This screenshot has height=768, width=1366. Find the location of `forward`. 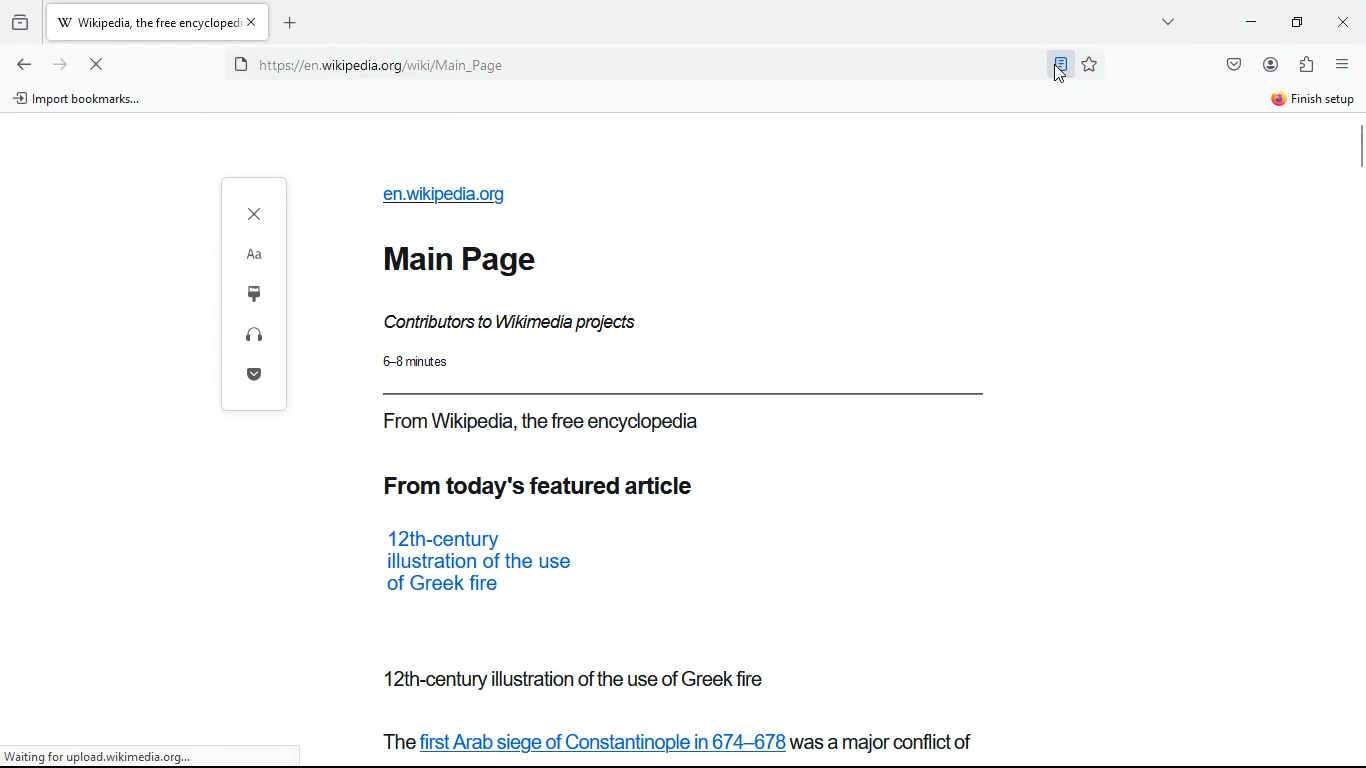

forward is located at coordinates (59, 66).